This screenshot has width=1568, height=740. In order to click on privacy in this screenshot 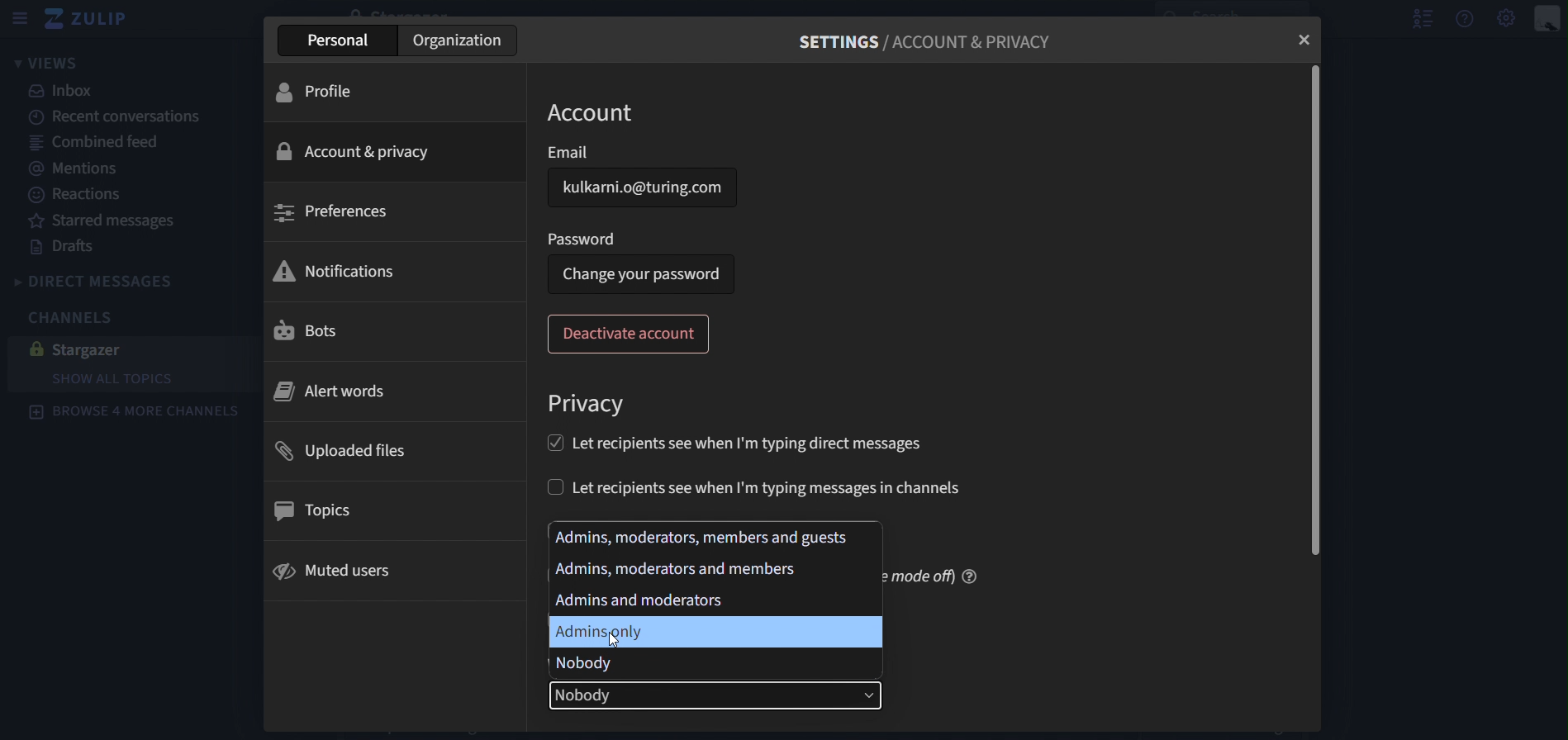, I will do `click(590, 405)`.